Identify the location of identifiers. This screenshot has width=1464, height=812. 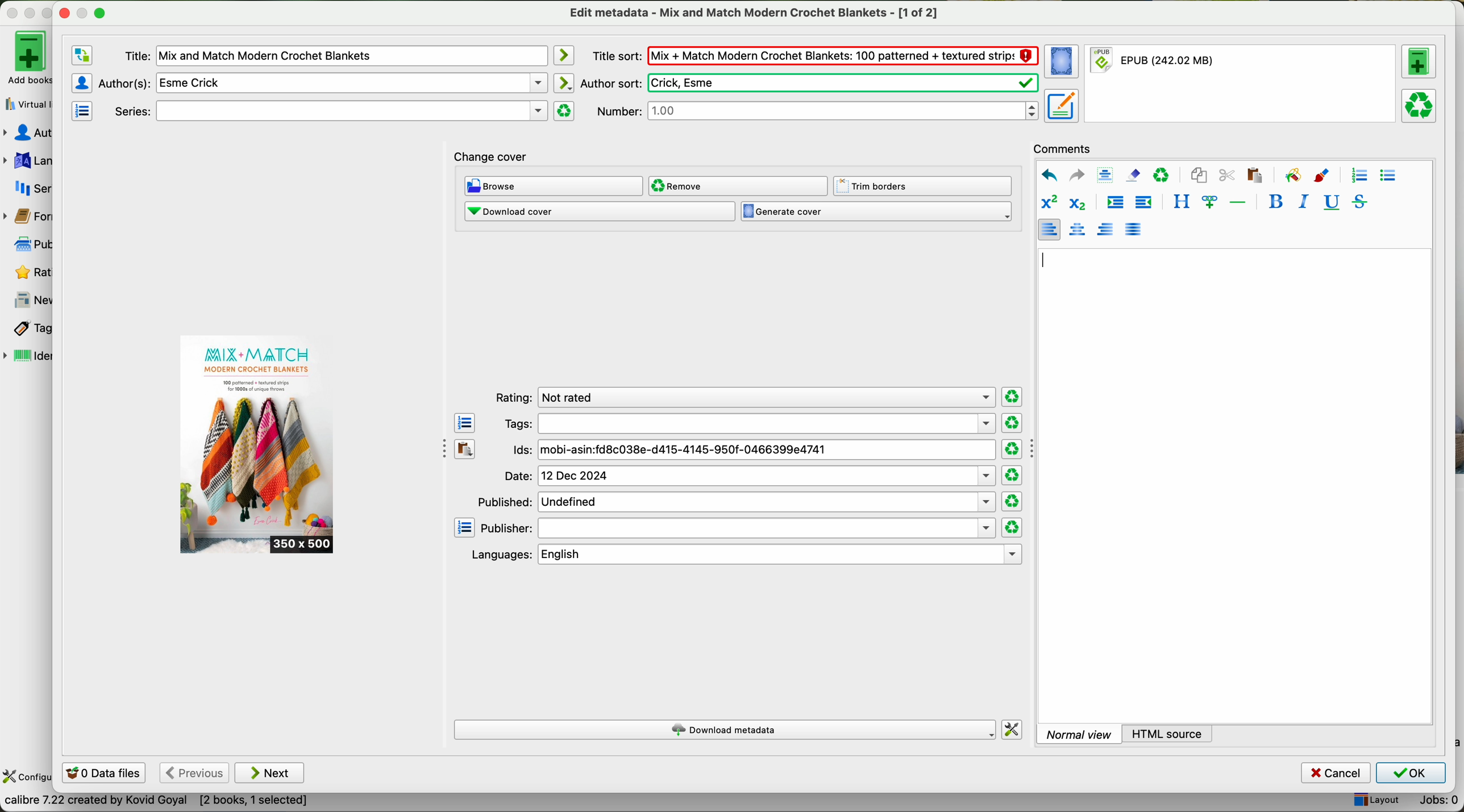
(28, 357).